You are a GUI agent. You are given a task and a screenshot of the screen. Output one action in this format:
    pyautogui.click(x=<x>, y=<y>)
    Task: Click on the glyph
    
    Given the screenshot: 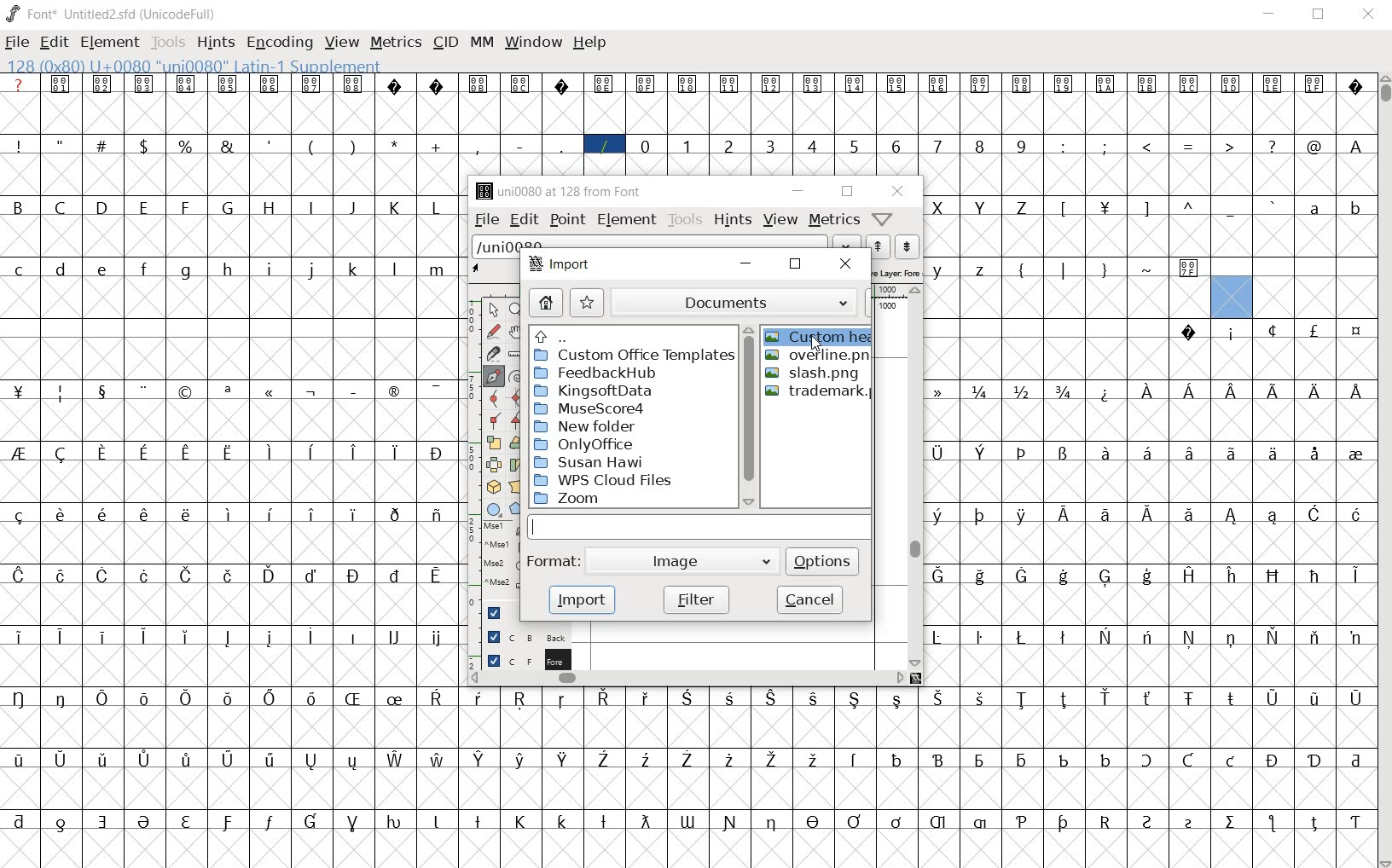 What is the action you would take?
    pyautogui.click(x=102, y=206)
    